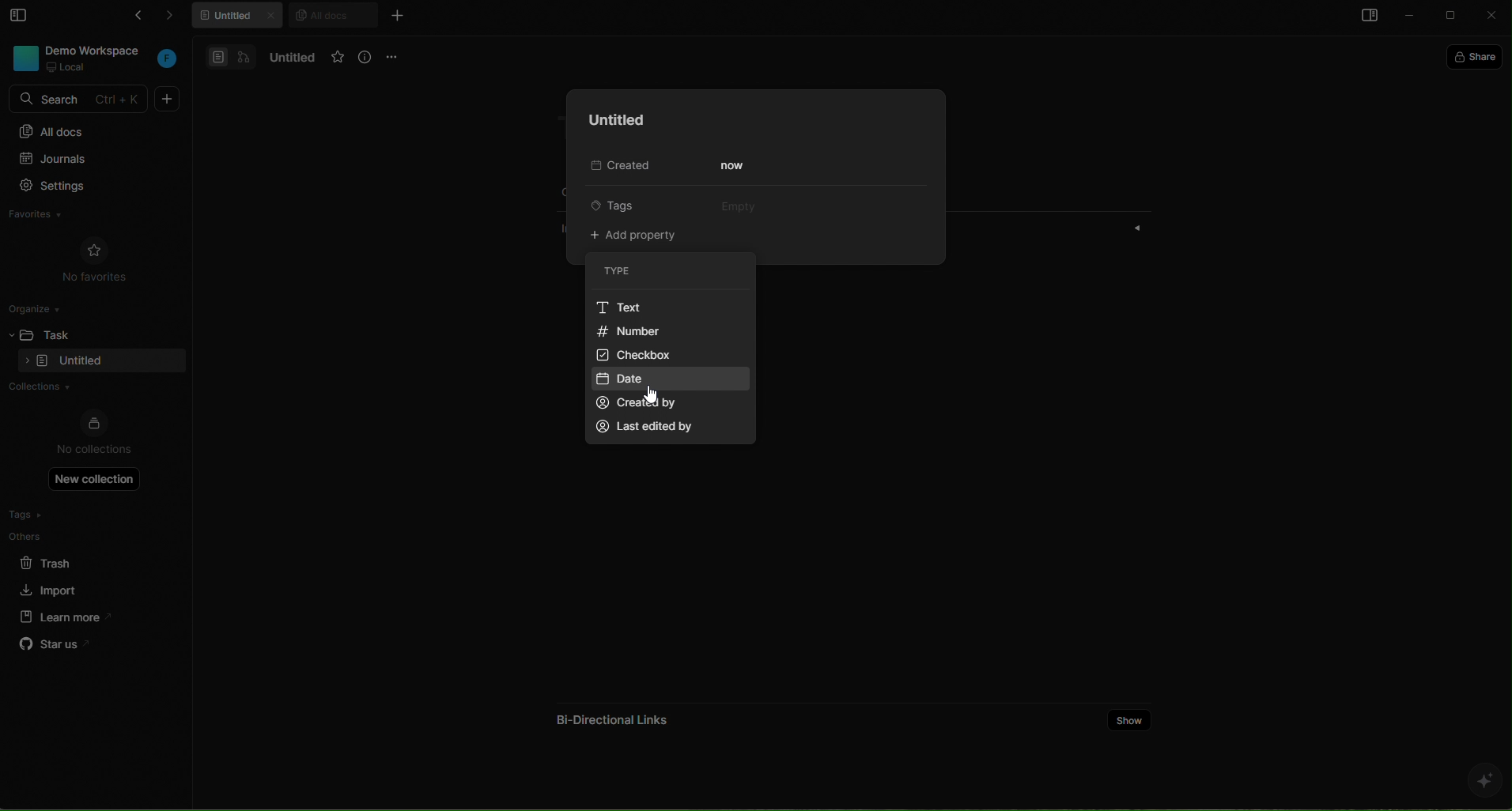 The image size is (1512, 811). Describe the element at coordinates (89, 388) in the screenshot. I see `collections` at that location.